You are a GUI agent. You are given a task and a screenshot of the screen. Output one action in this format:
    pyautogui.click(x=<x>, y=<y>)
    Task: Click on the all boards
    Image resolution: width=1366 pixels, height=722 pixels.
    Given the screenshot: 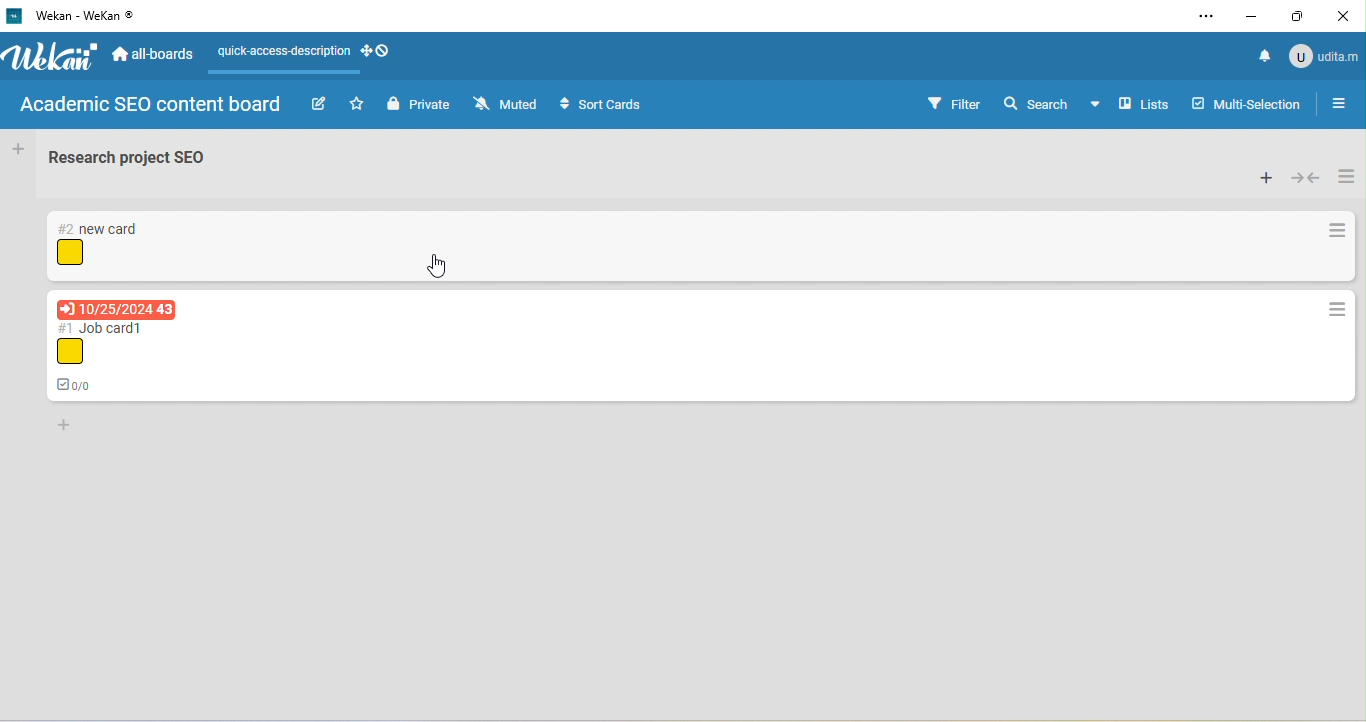 What is the action you would take?
    pyautogui.click(x=155, y=57)
    